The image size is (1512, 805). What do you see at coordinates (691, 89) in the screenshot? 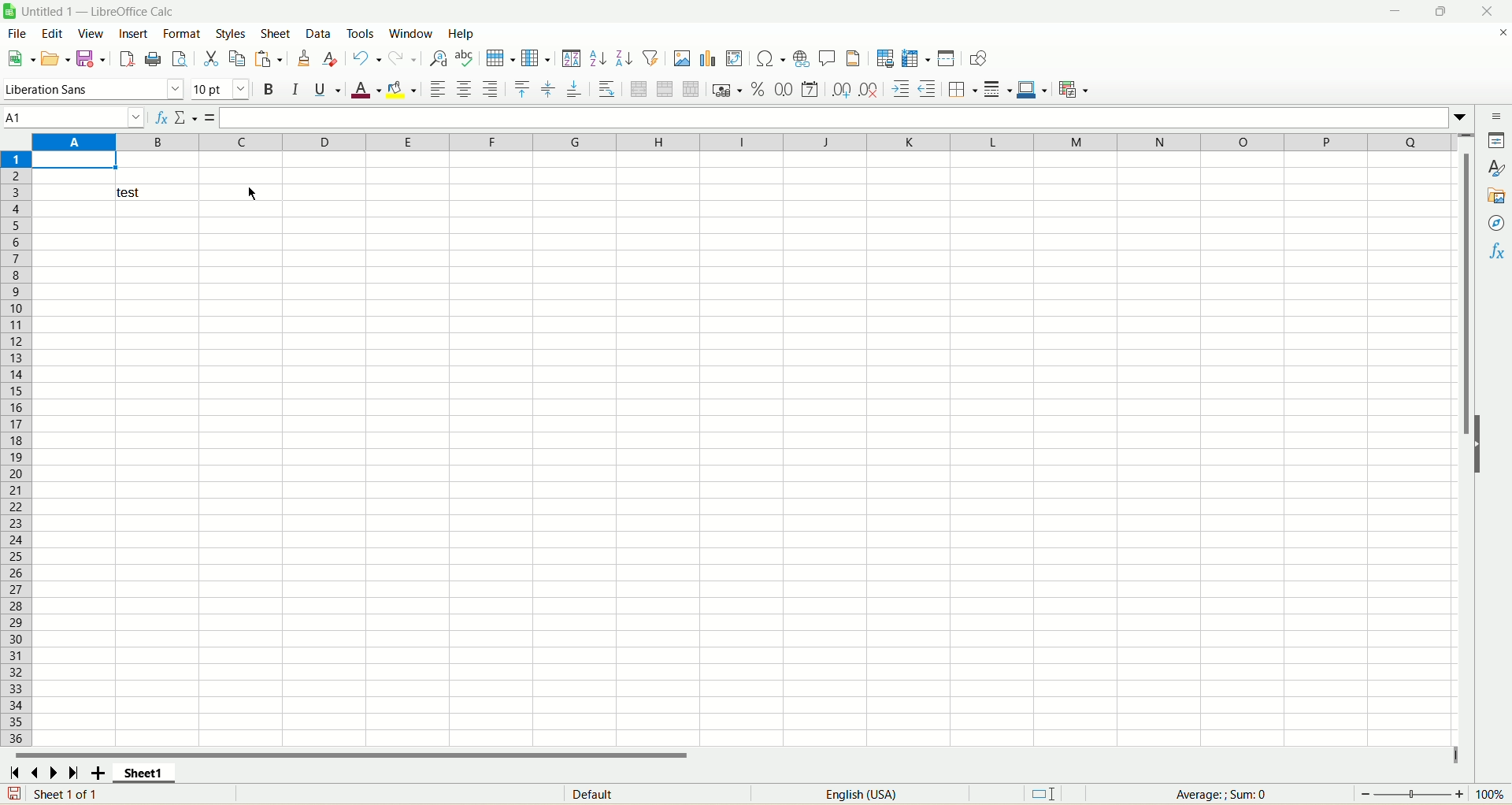
I see `unmerge` at bounding box center [691, 89].